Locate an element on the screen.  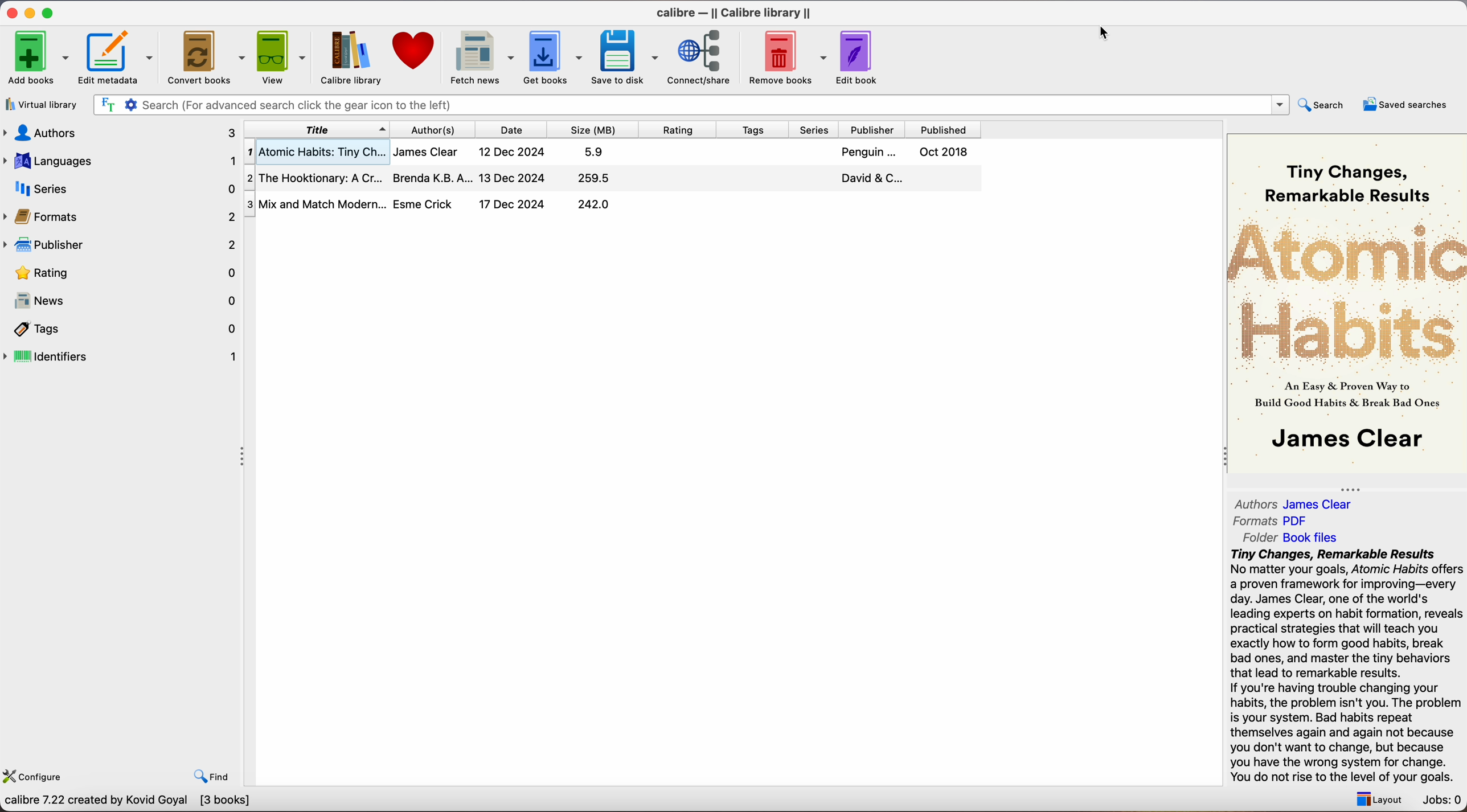
authors is located at coordinates (118, 132).